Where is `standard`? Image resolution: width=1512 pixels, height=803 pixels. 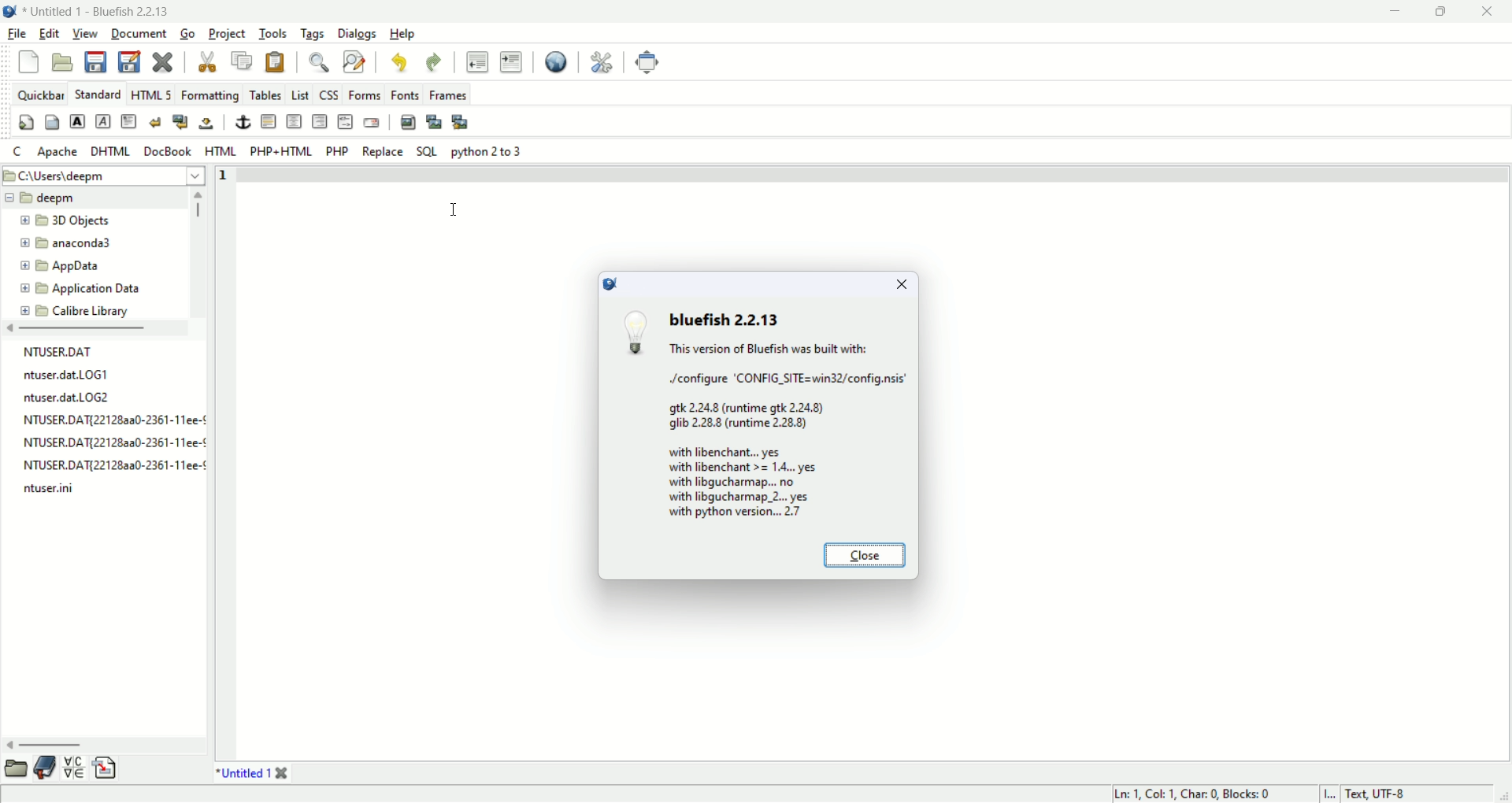 standard is located at coordinates (98, 94).